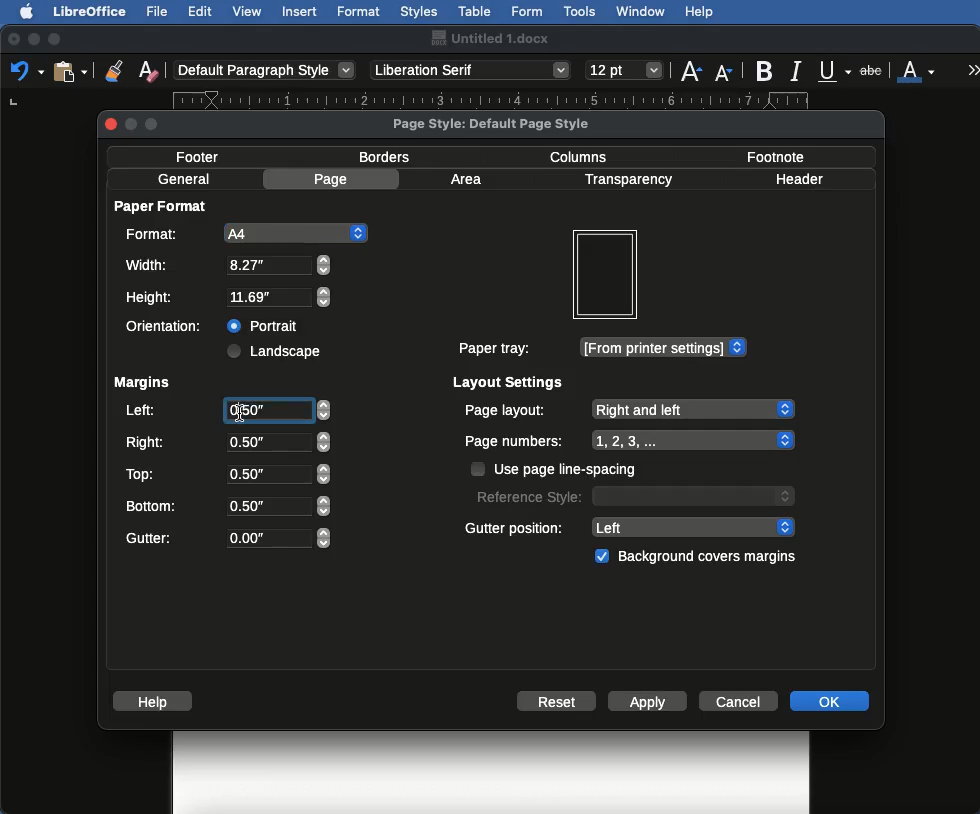  Describe the element at coordinates (556, 469) in the screenshot. I see `Use page line spacing` at that location.